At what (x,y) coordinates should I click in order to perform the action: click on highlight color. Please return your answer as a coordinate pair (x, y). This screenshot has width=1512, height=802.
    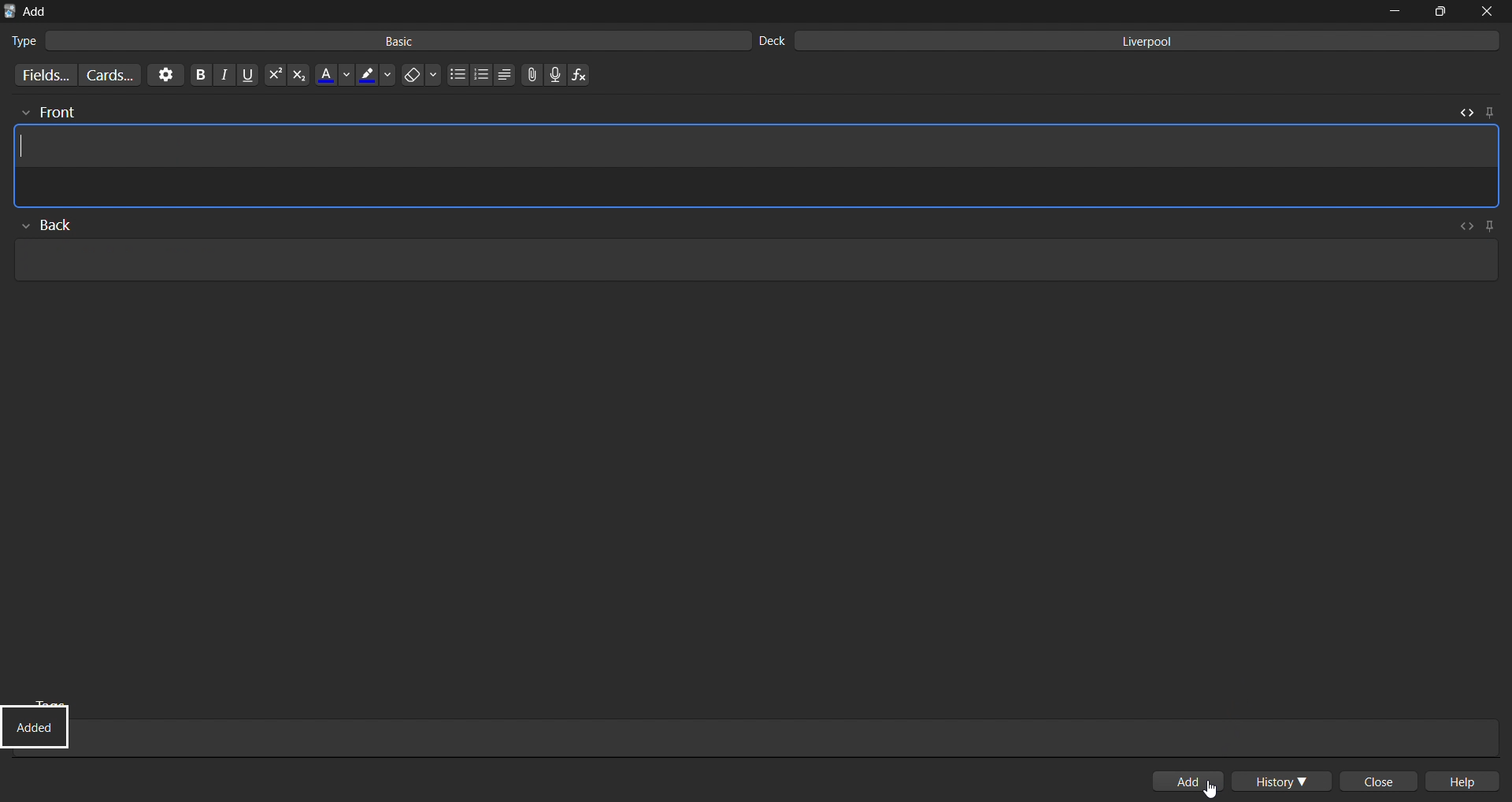
    Looking at the image, I should click on (377, 72).